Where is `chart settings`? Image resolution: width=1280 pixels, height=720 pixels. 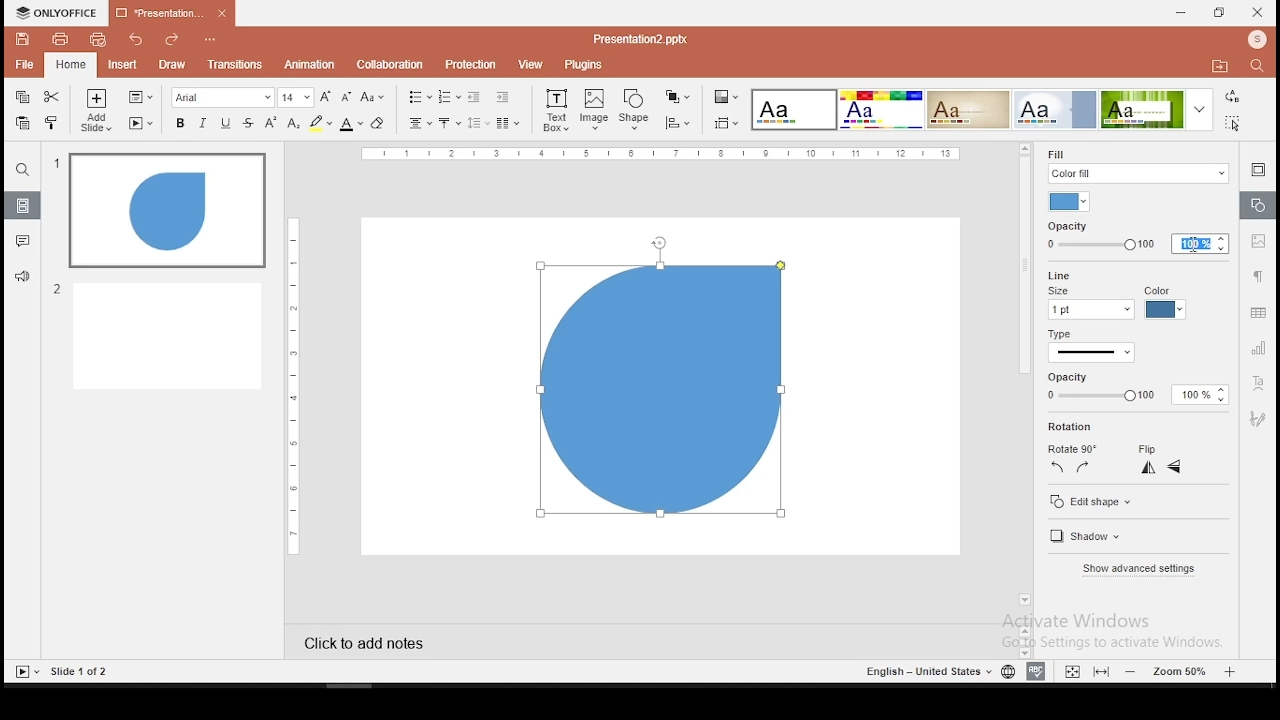
chart settings is located at coordinates (1257, 349).